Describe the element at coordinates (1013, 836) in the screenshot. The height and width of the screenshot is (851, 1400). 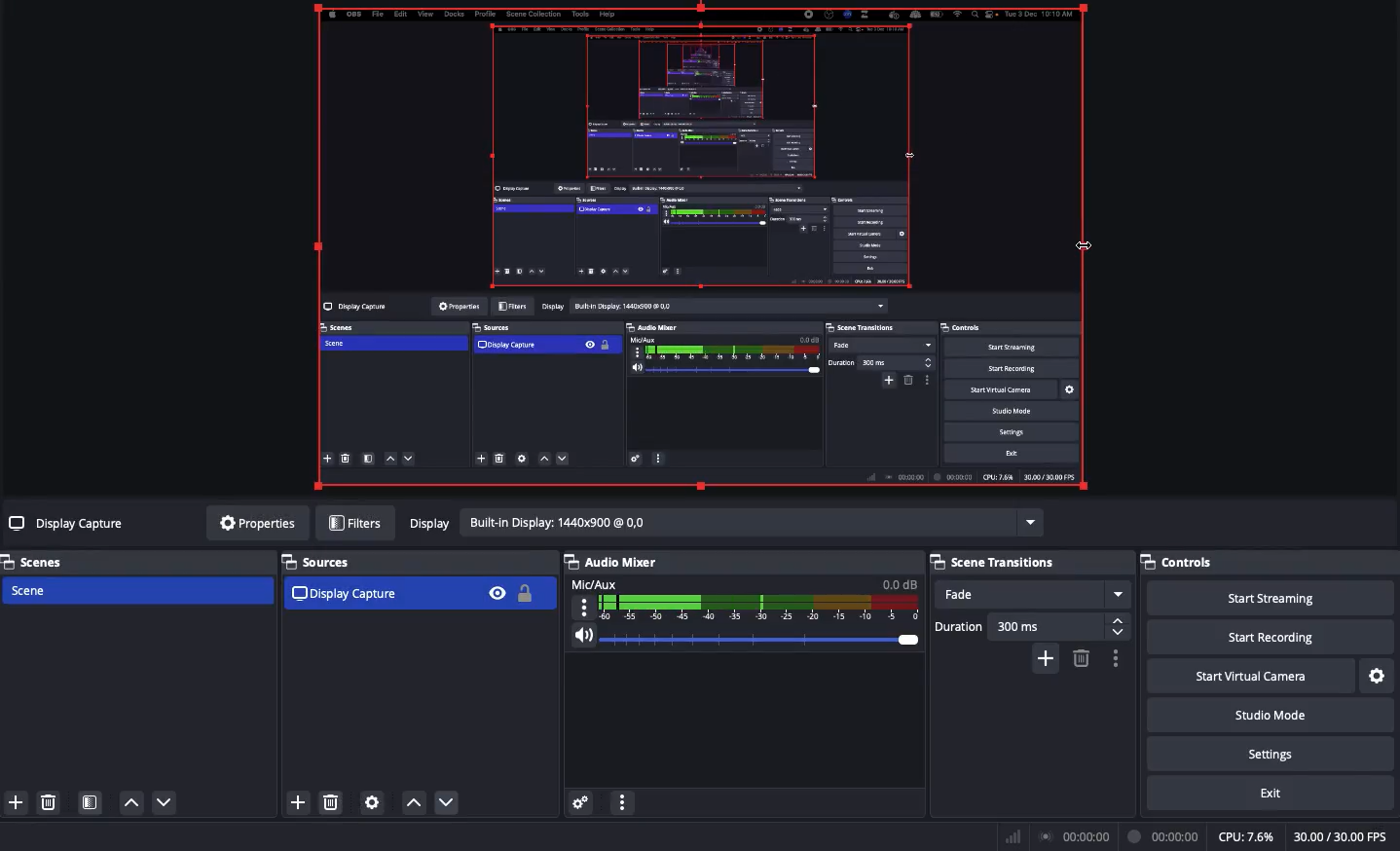
I see `Bar` at that location.